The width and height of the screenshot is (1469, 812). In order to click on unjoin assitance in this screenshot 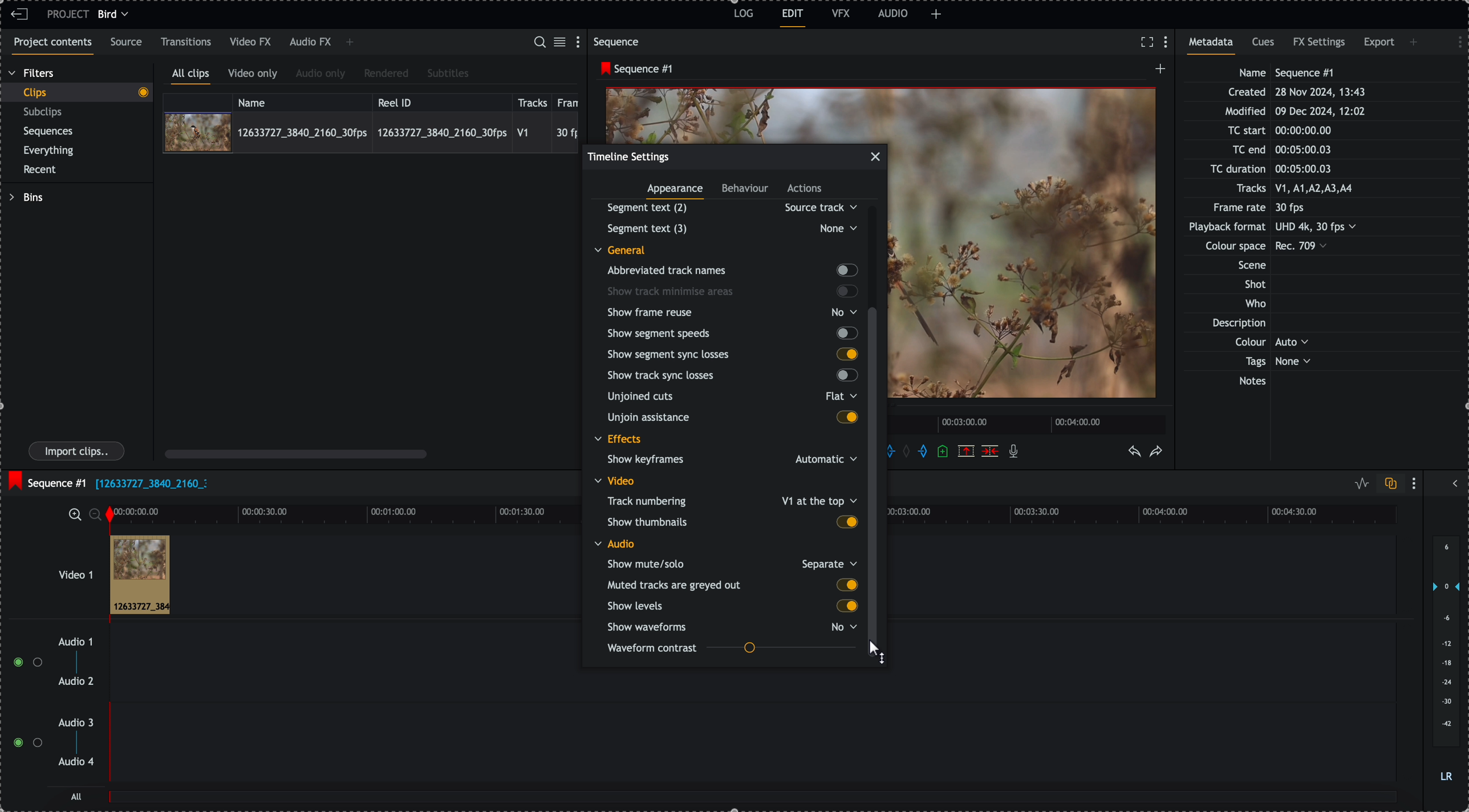, I will do `click(733, 419)`.